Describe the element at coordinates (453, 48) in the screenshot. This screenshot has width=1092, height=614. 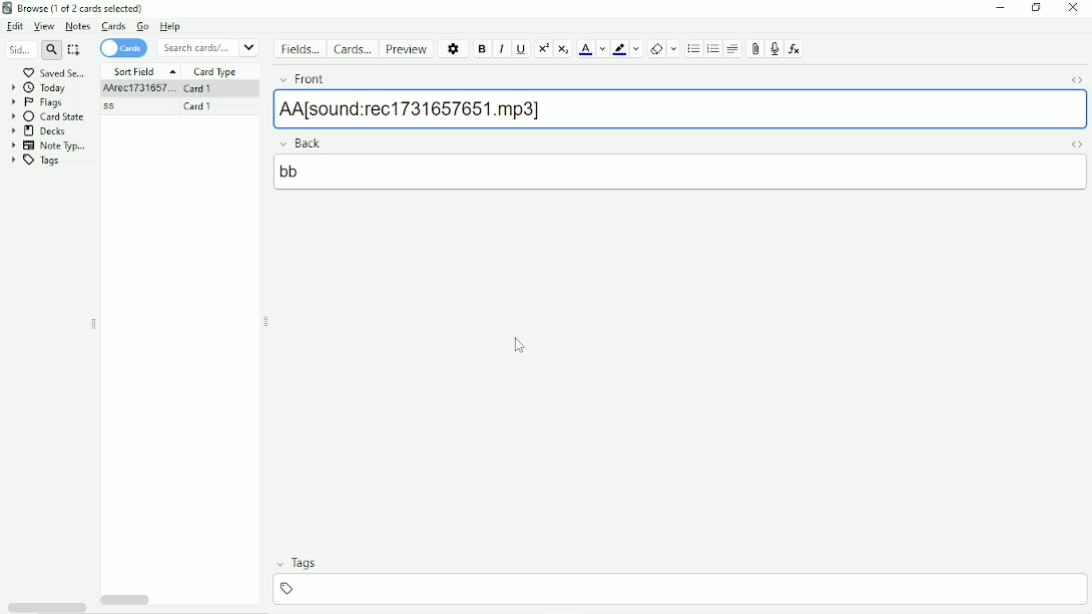
I see `Options` at that location.